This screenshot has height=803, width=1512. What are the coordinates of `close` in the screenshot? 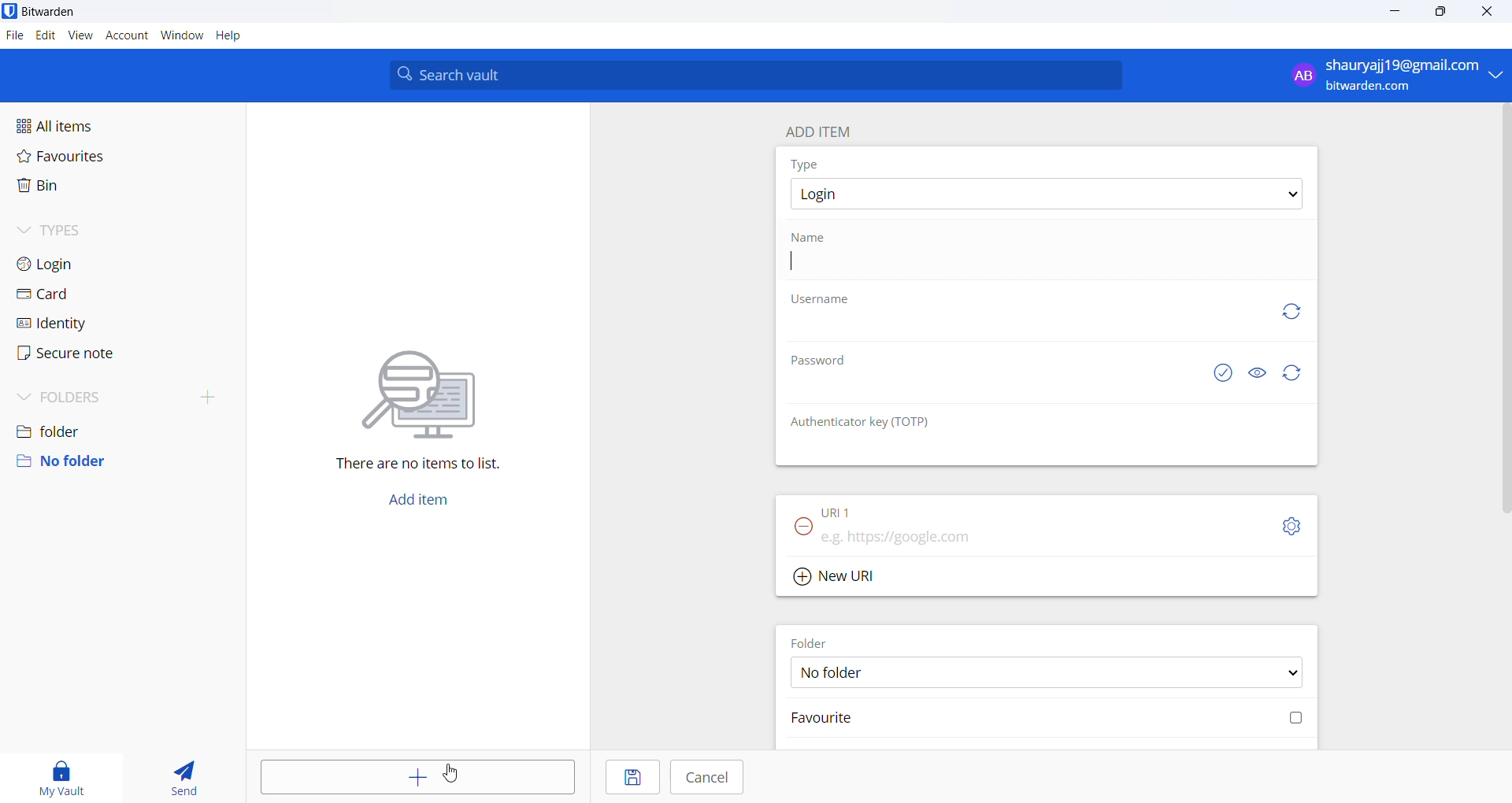 It's located at (1484, 11).